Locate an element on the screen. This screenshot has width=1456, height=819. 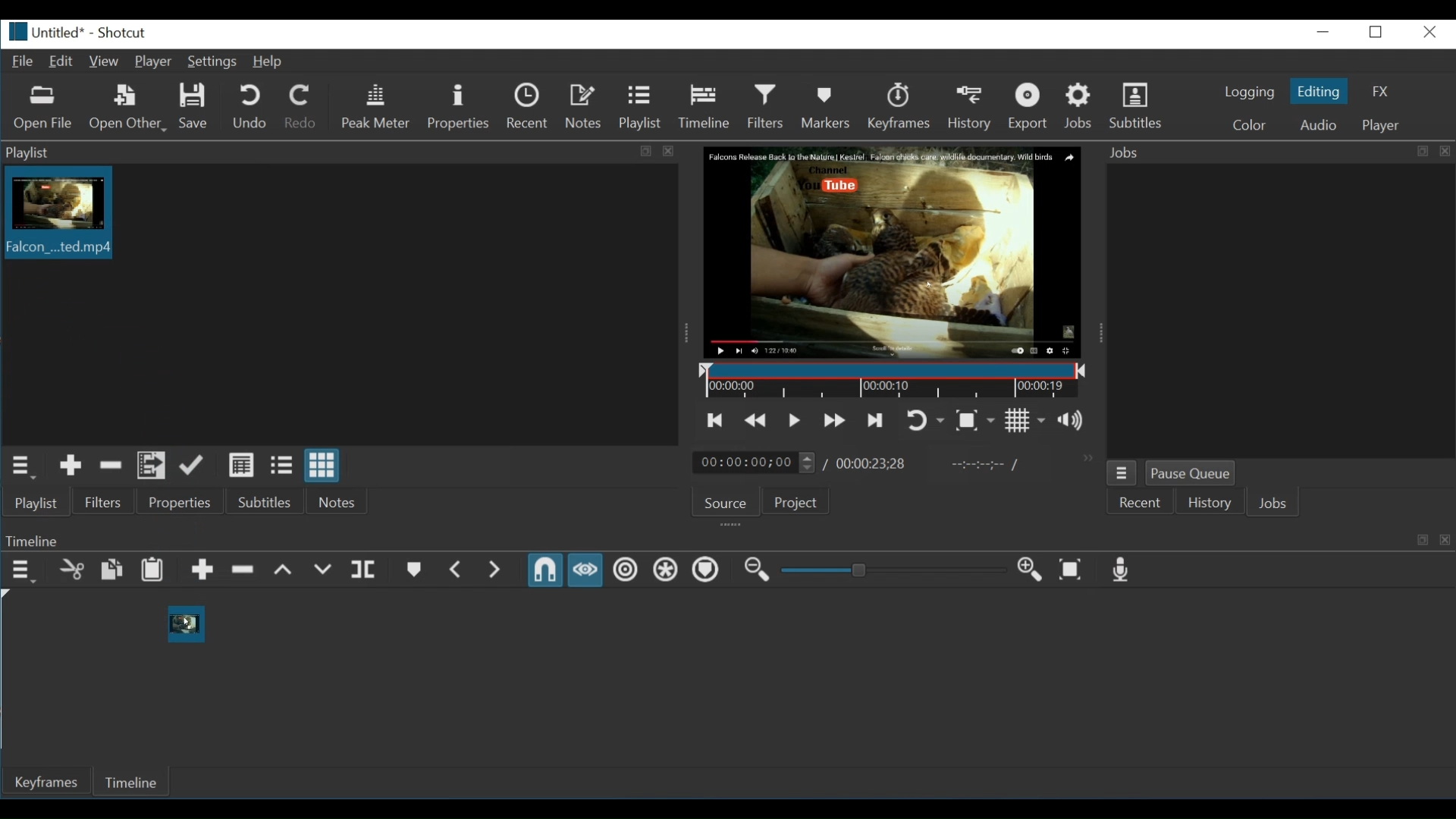
Current location is located at coordinates (756, 463).